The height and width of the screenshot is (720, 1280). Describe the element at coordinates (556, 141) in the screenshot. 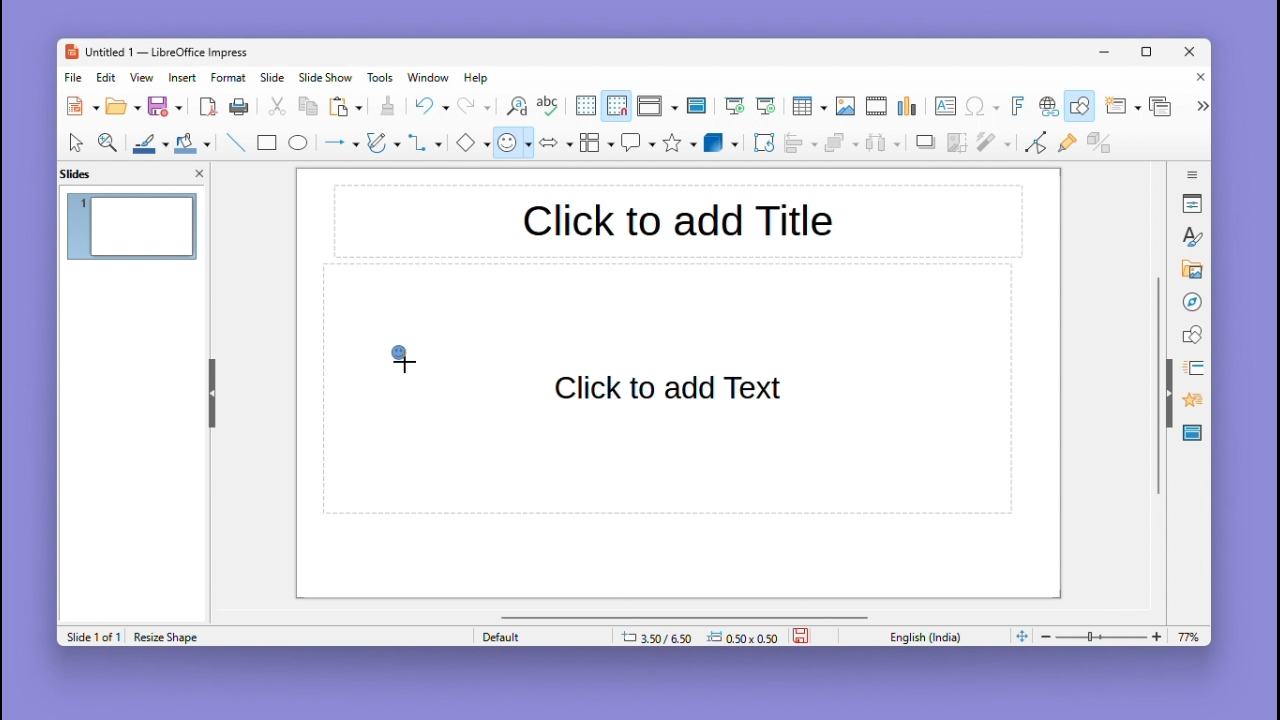

I see `Double arrow` at that location.